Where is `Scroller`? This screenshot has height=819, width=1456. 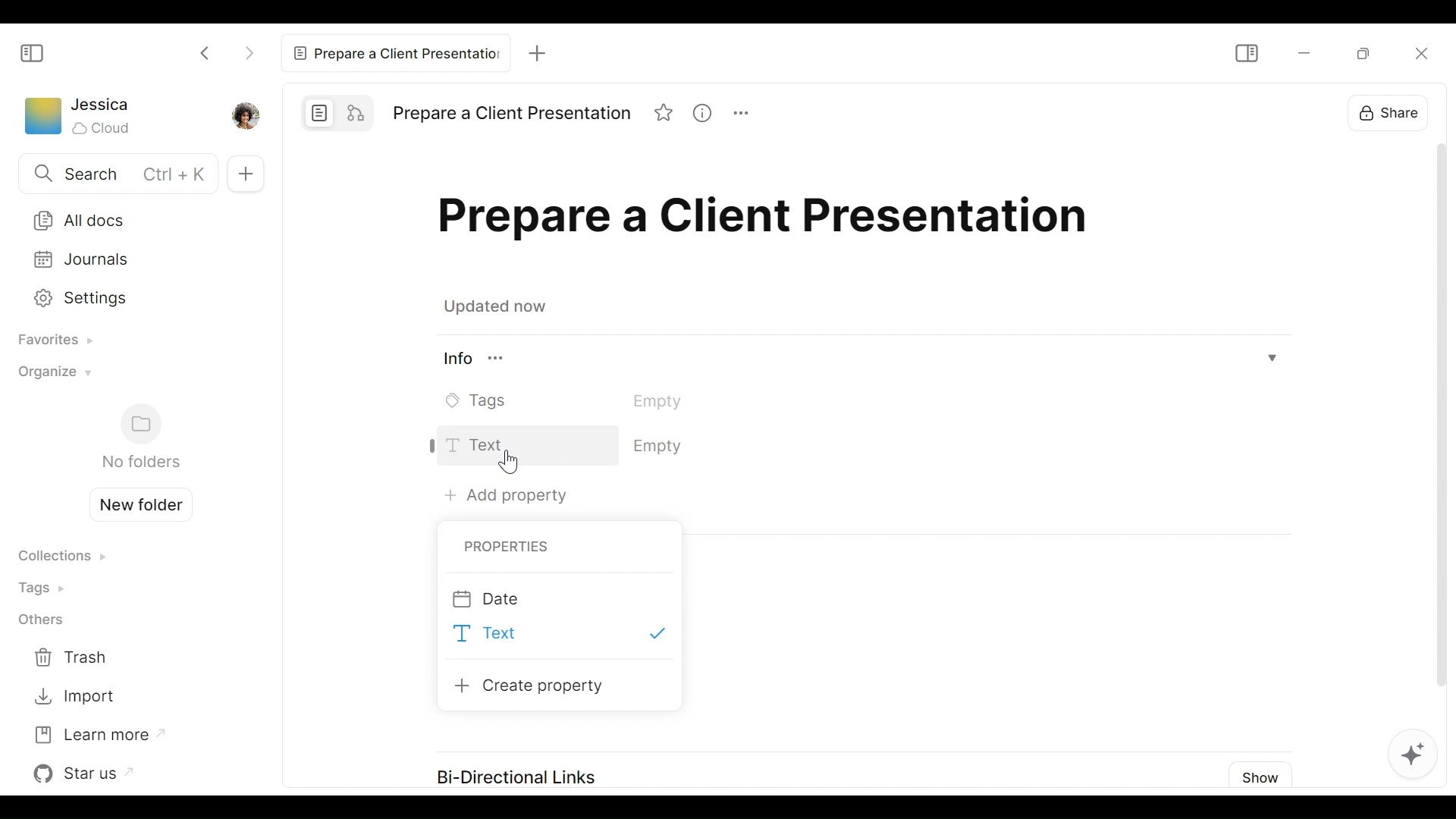
Scroller is located at coordinates (1437, 421).